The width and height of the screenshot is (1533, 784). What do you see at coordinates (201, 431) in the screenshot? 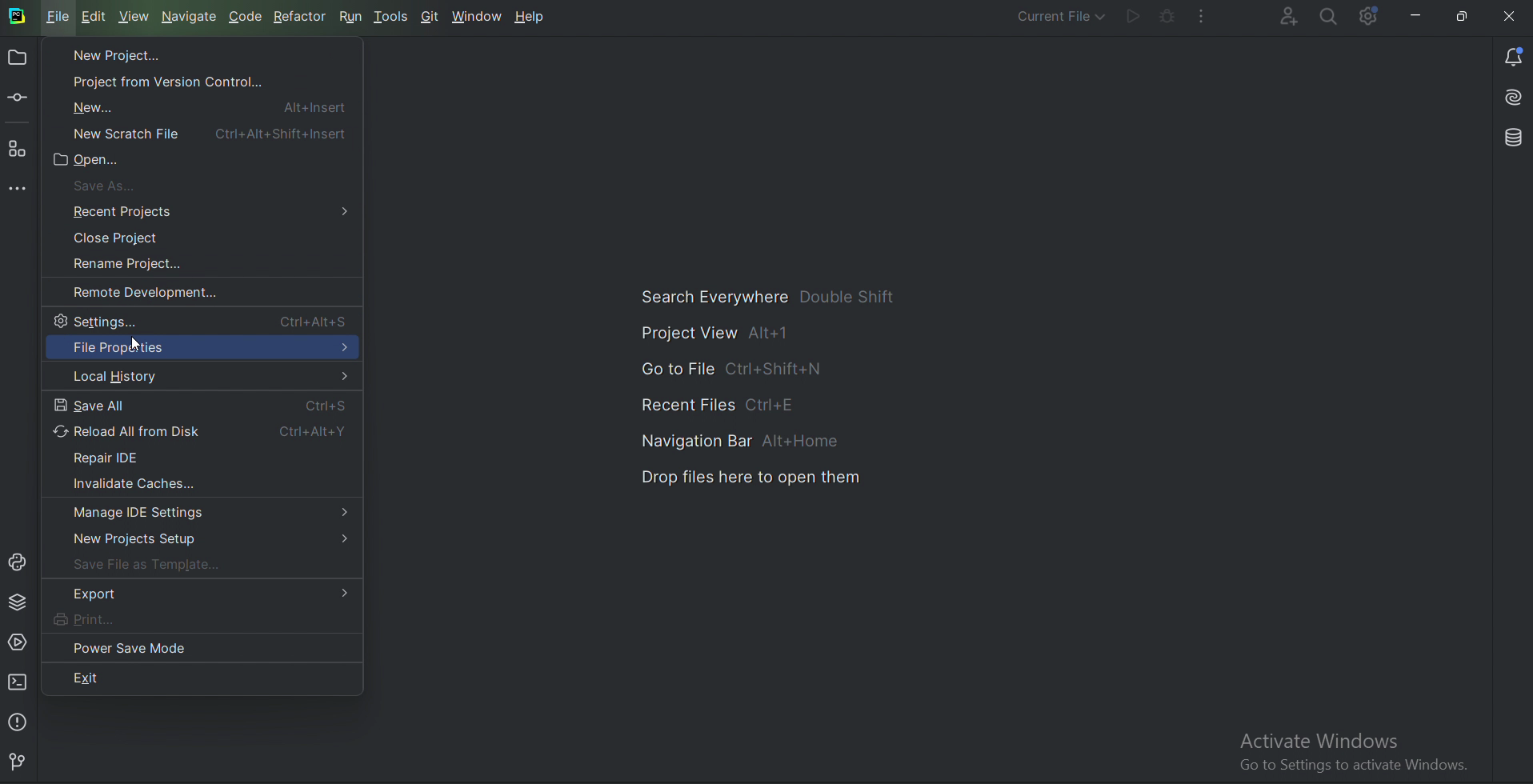
I see `Reload all from Disk` at bounding box center [201, 431].